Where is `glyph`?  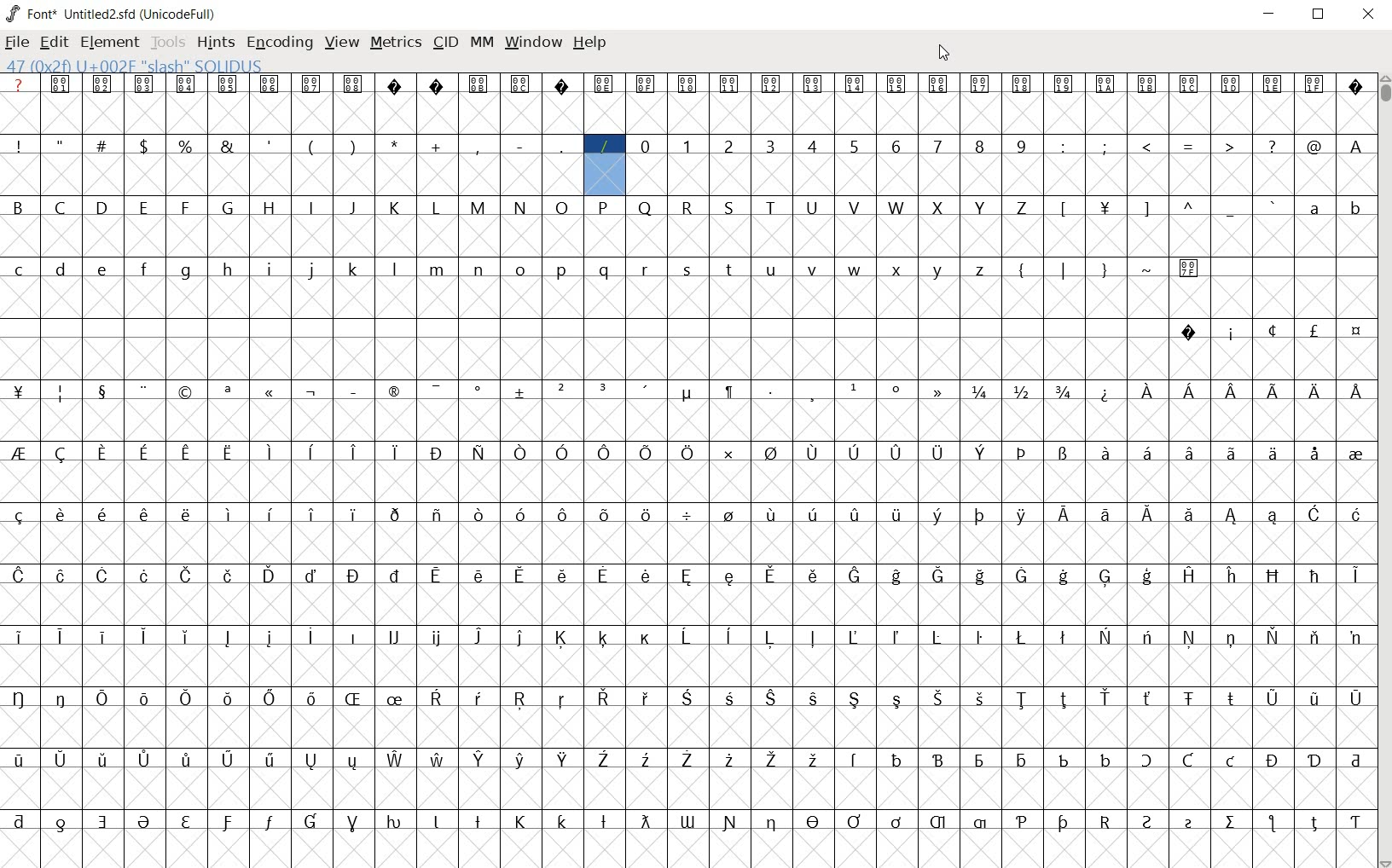
glyph is located at coordinates (812, 454).